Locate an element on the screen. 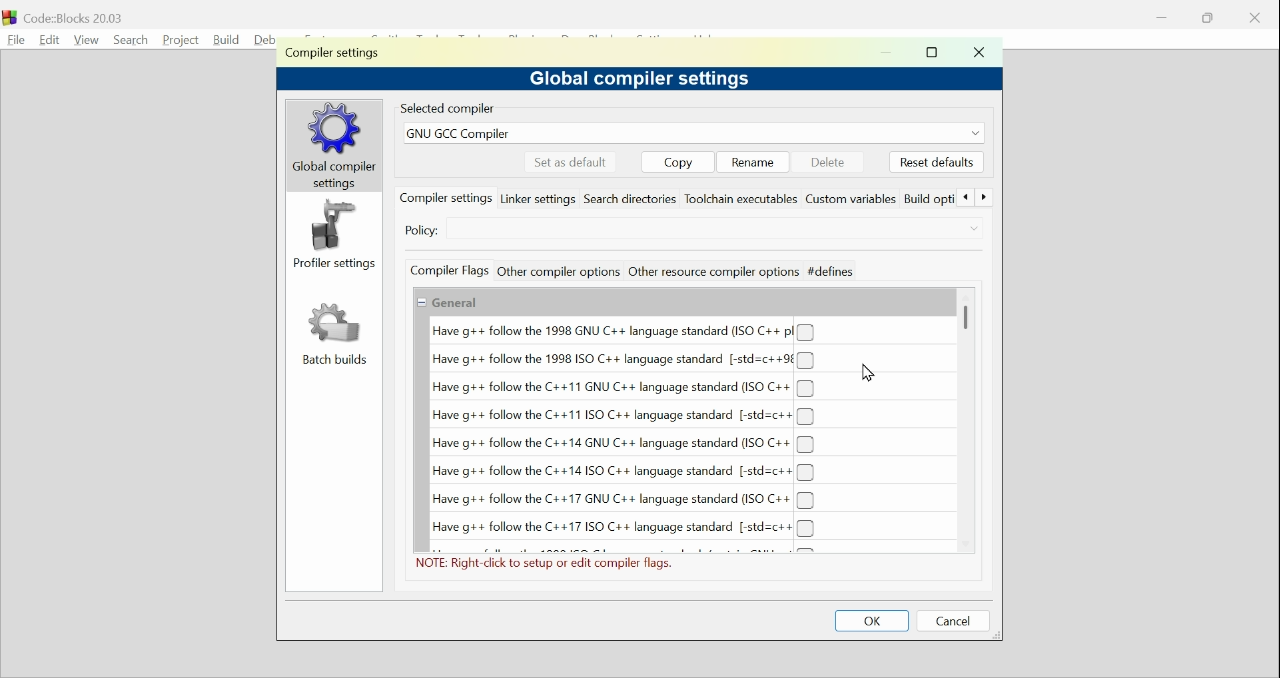 The width and height of the screenshot is (1280, 678). defines is located at coordinates (830, 271).